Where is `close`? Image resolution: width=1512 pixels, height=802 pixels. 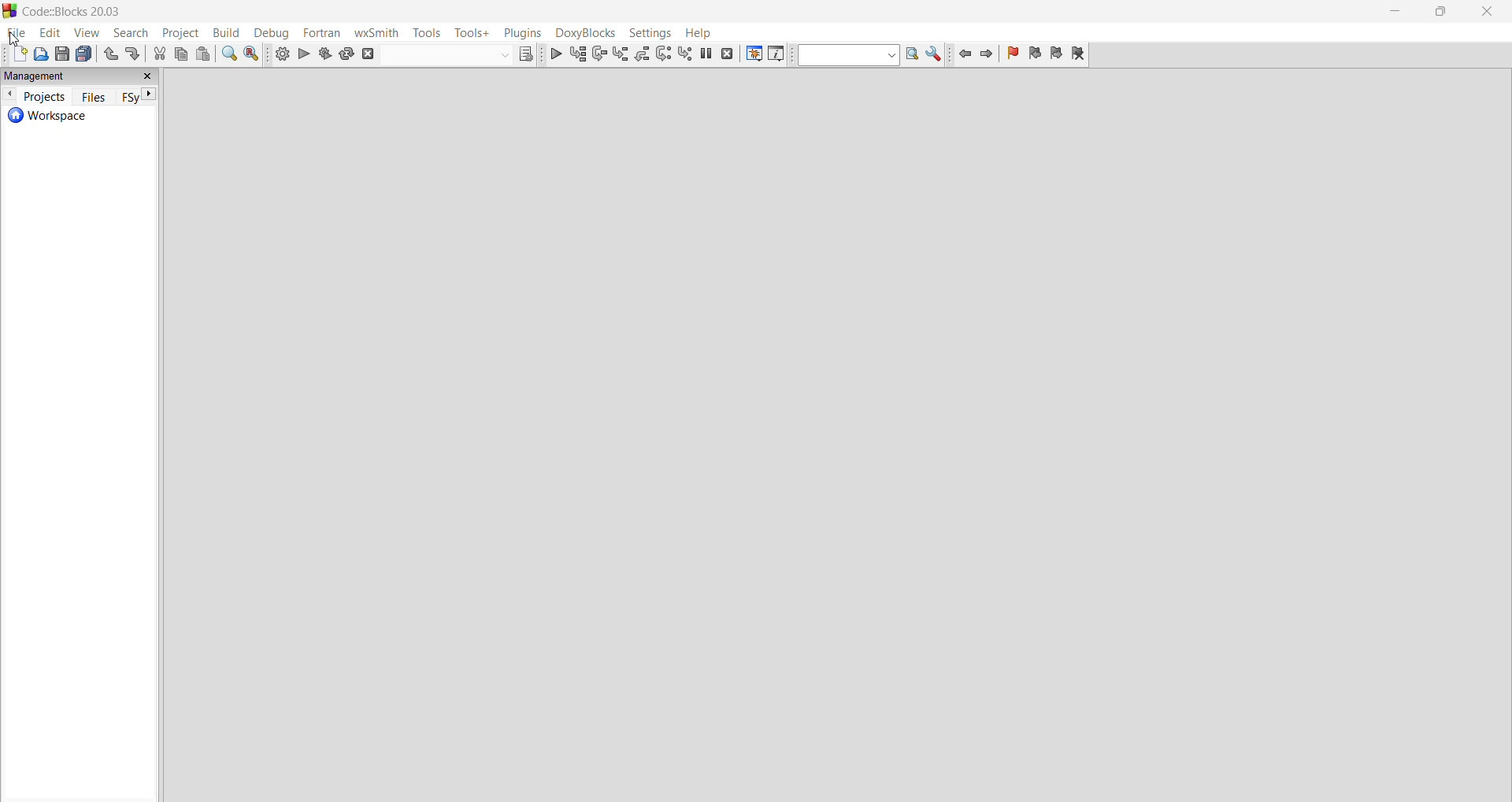
close is located at coordinates (1488, 9).